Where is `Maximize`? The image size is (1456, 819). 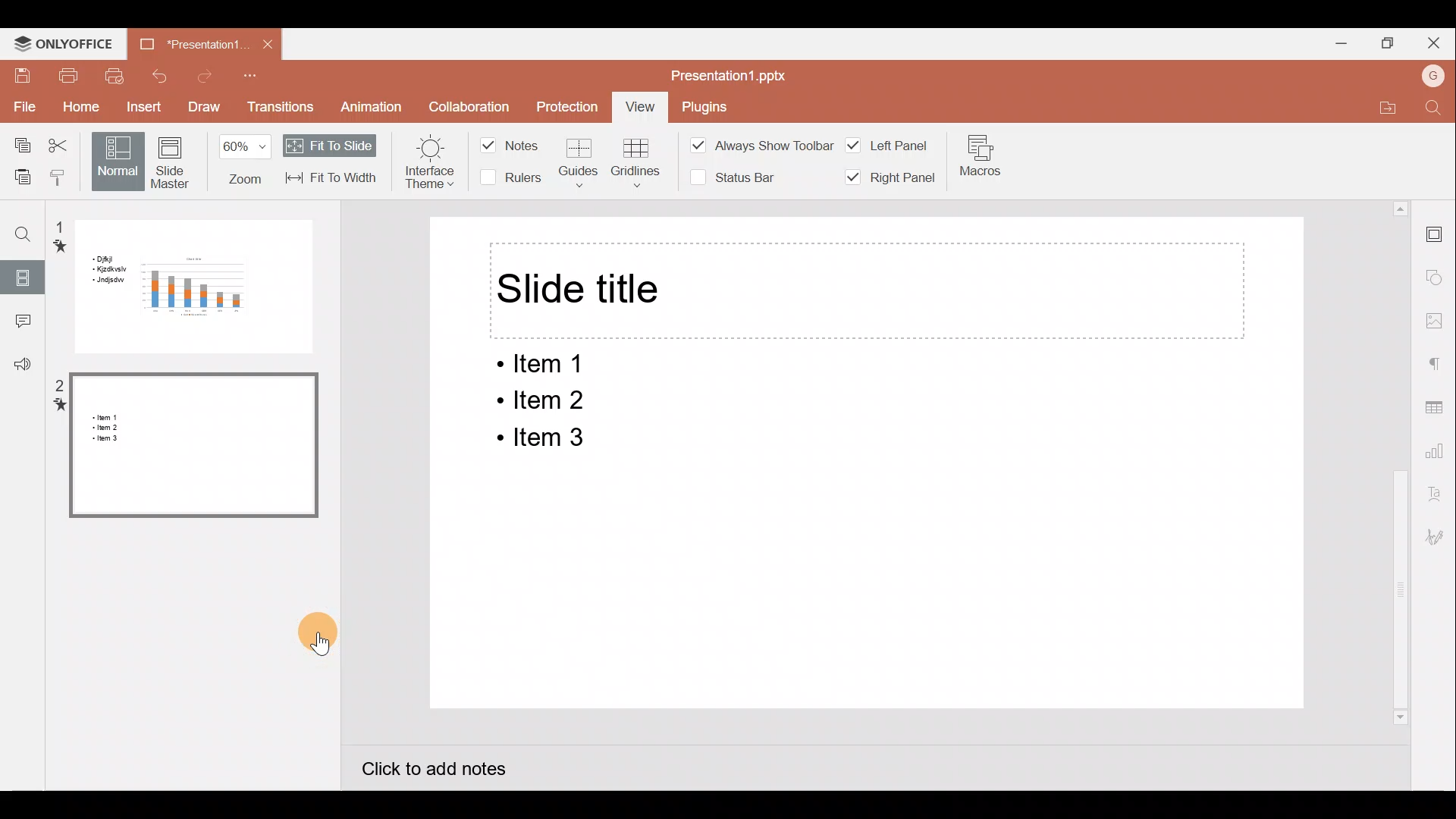 Maximize is located at coordinates (1382, 45).